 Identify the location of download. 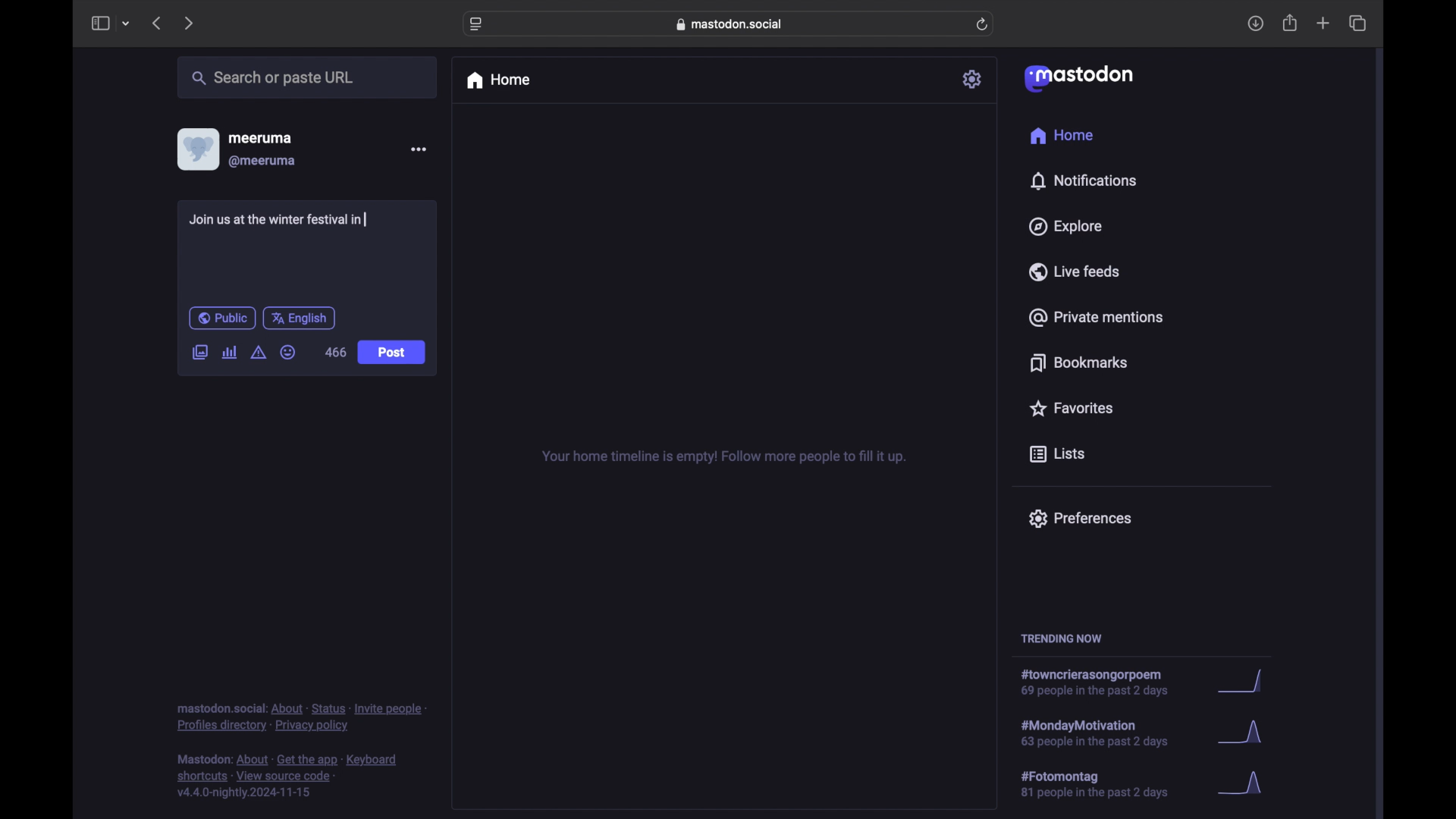
(1256, 24).